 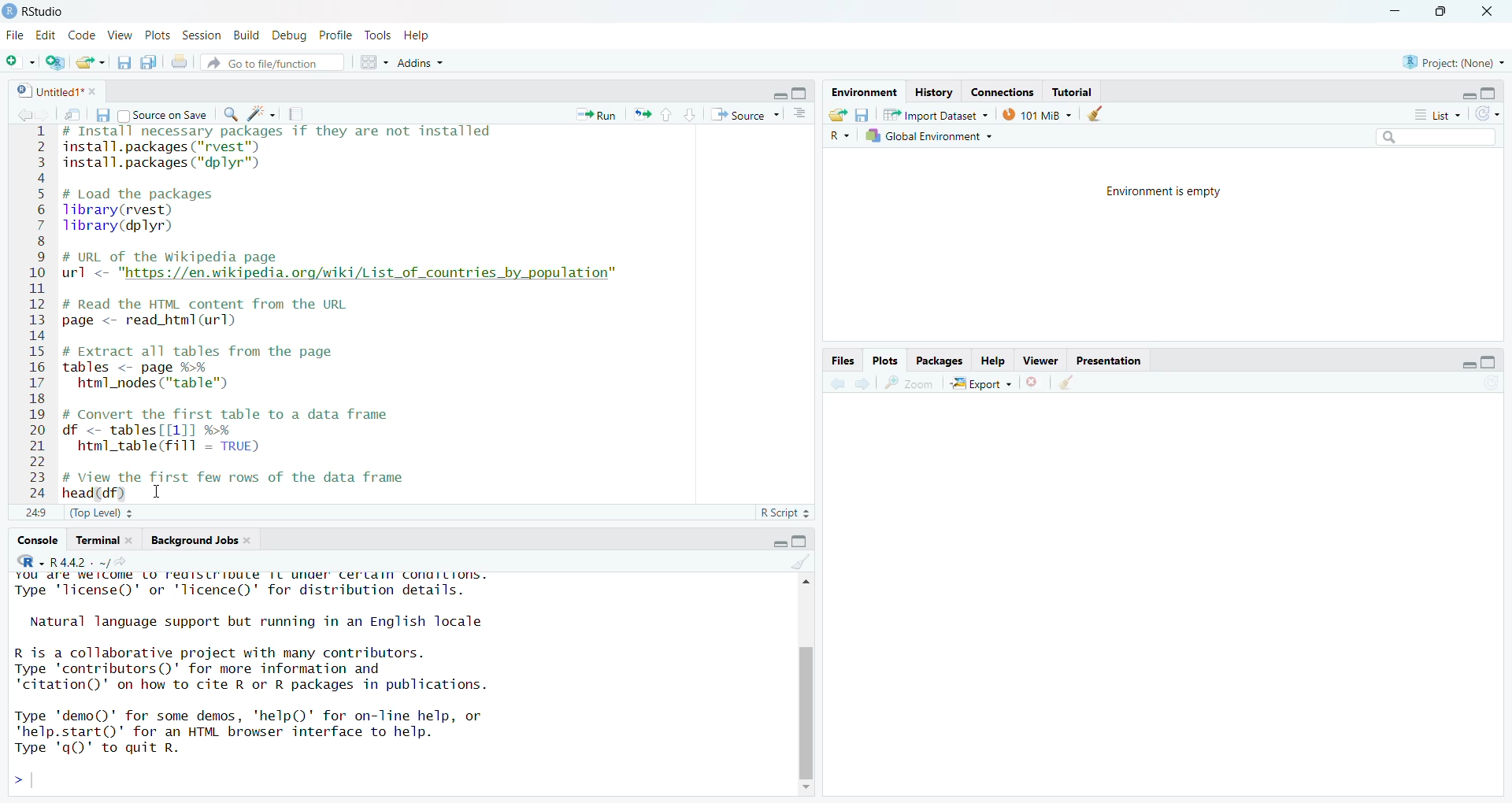 What do you see at coordinates (379, 35) in the screenshot?
I see `Tools` at bounding box center [379, 35].